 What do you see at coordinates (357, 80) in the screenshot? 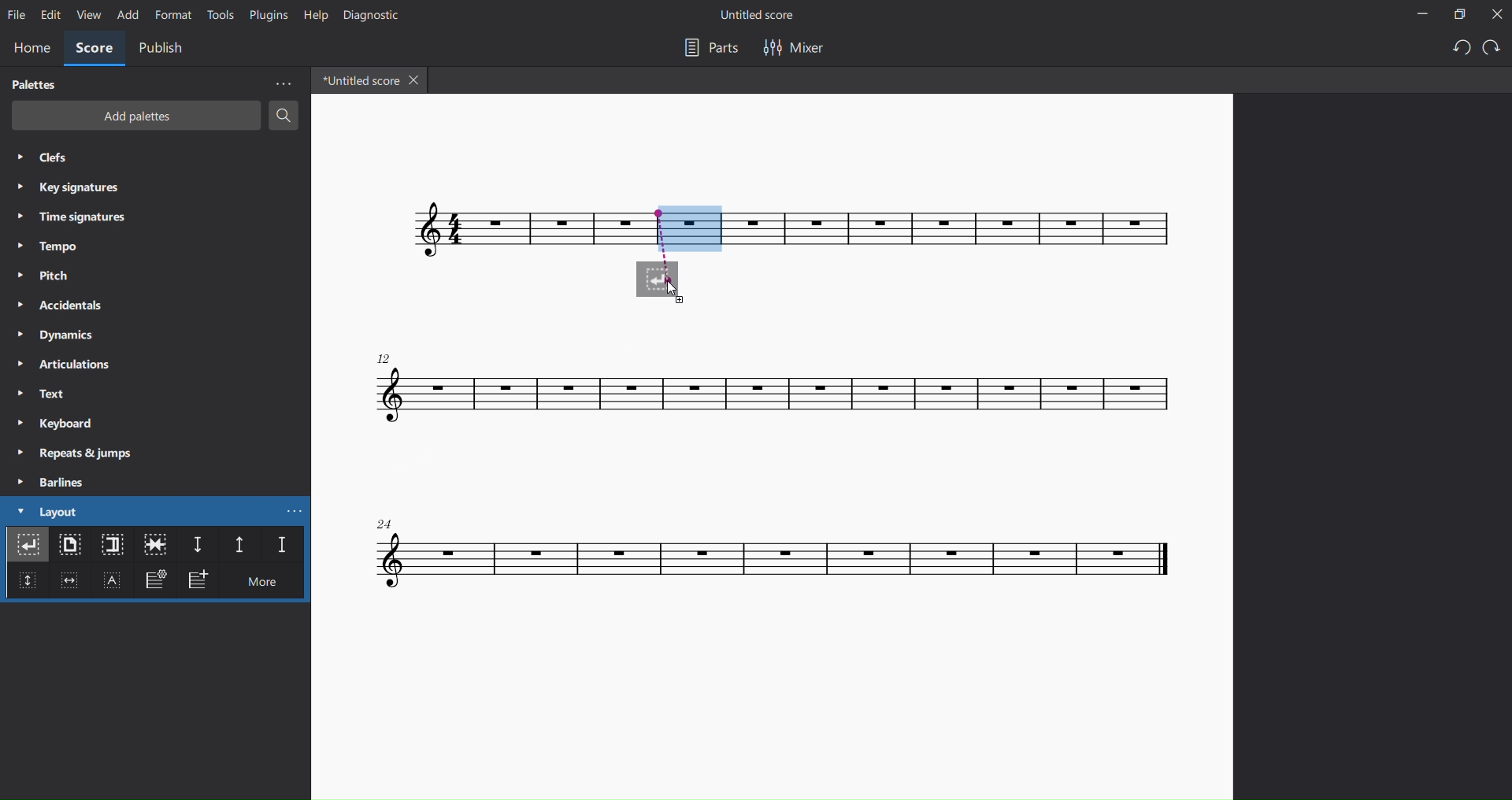
I see `tab name` at bounding box center [357, 80].